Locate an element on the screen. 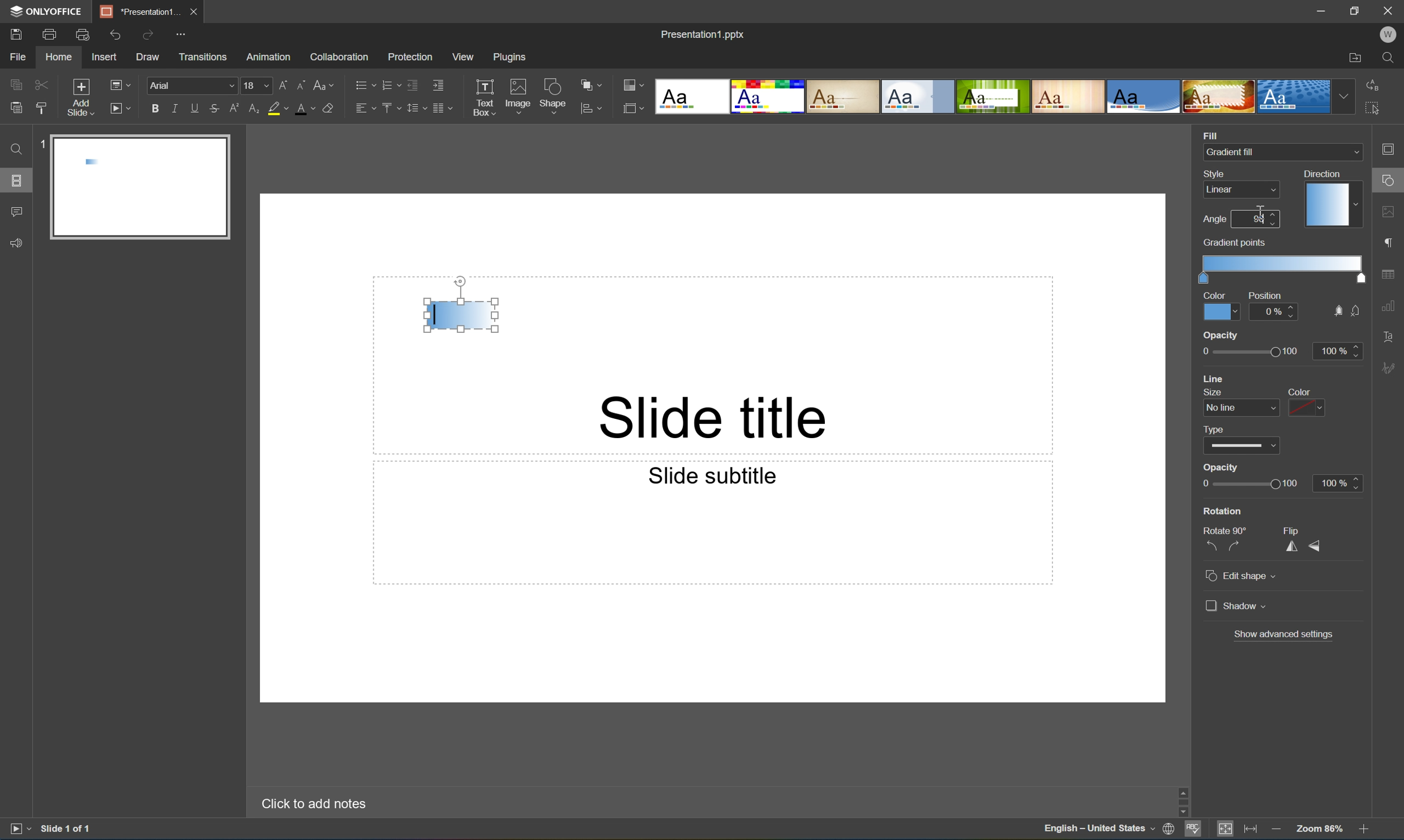 This screenshot has width=1404, height=840. Slide title is located at coordinates (717, 416).